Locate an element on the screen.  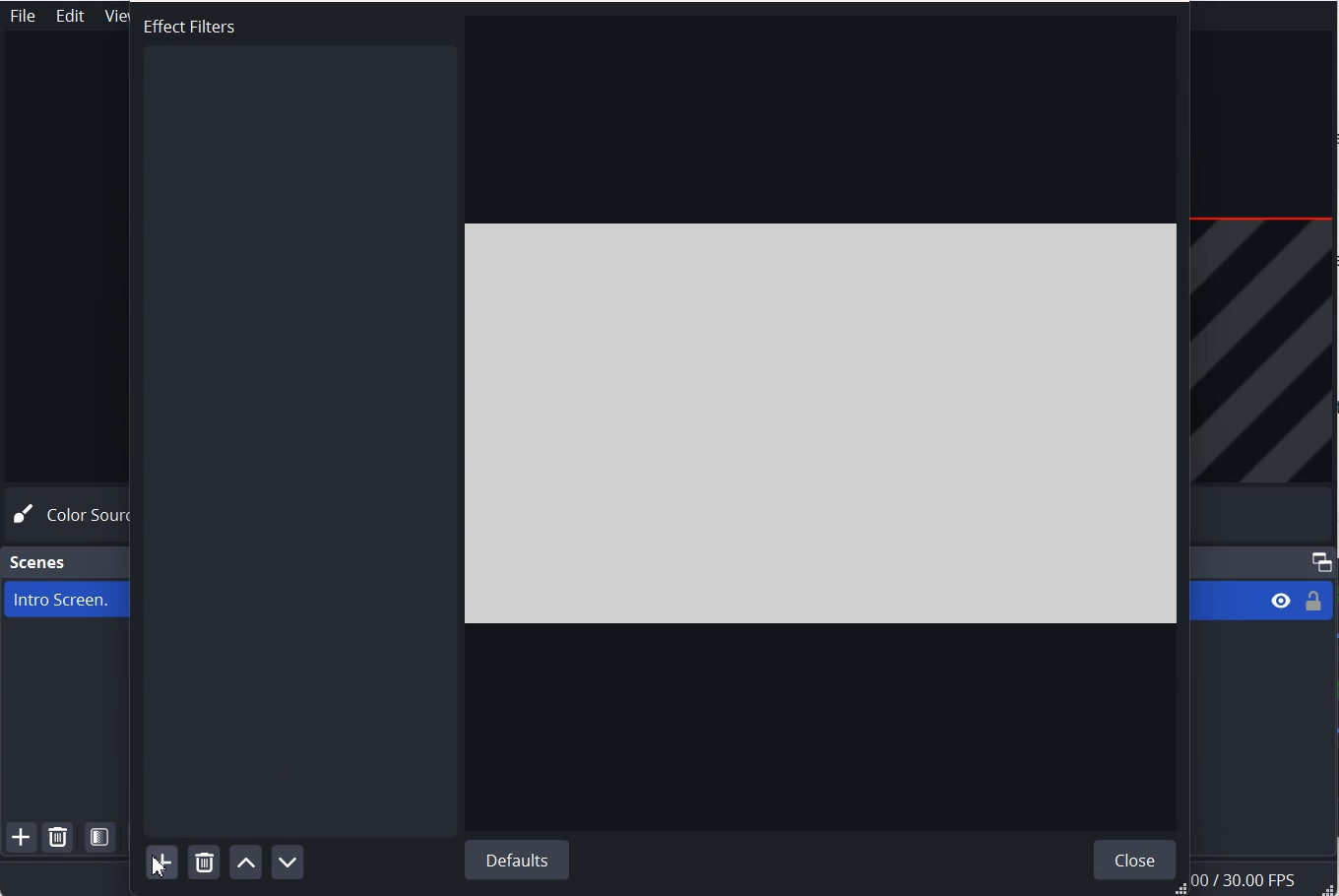
Information Display is located at coordinates (1268, 877).